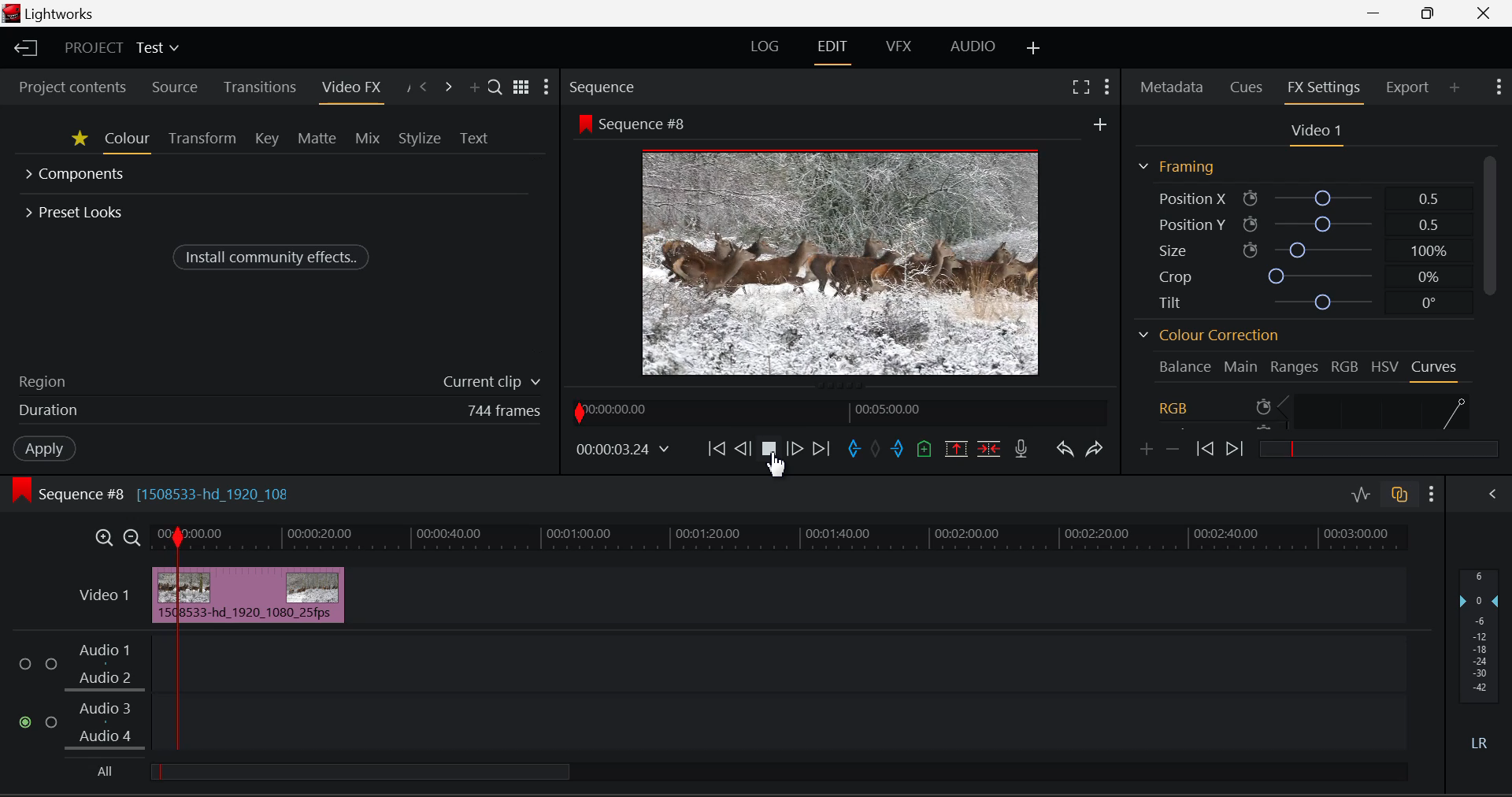 The width and height of the screenshot is (1512, 797). I want to click on Add Panel, so click(472, 84).